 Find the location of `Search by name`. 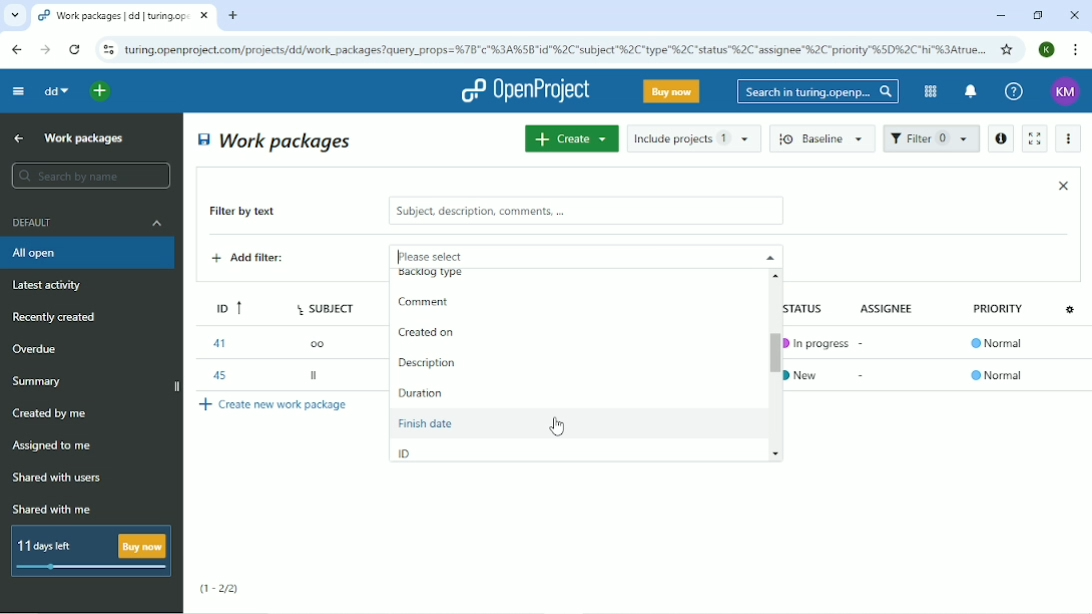

Search by name is located at coordinates (90, 176).